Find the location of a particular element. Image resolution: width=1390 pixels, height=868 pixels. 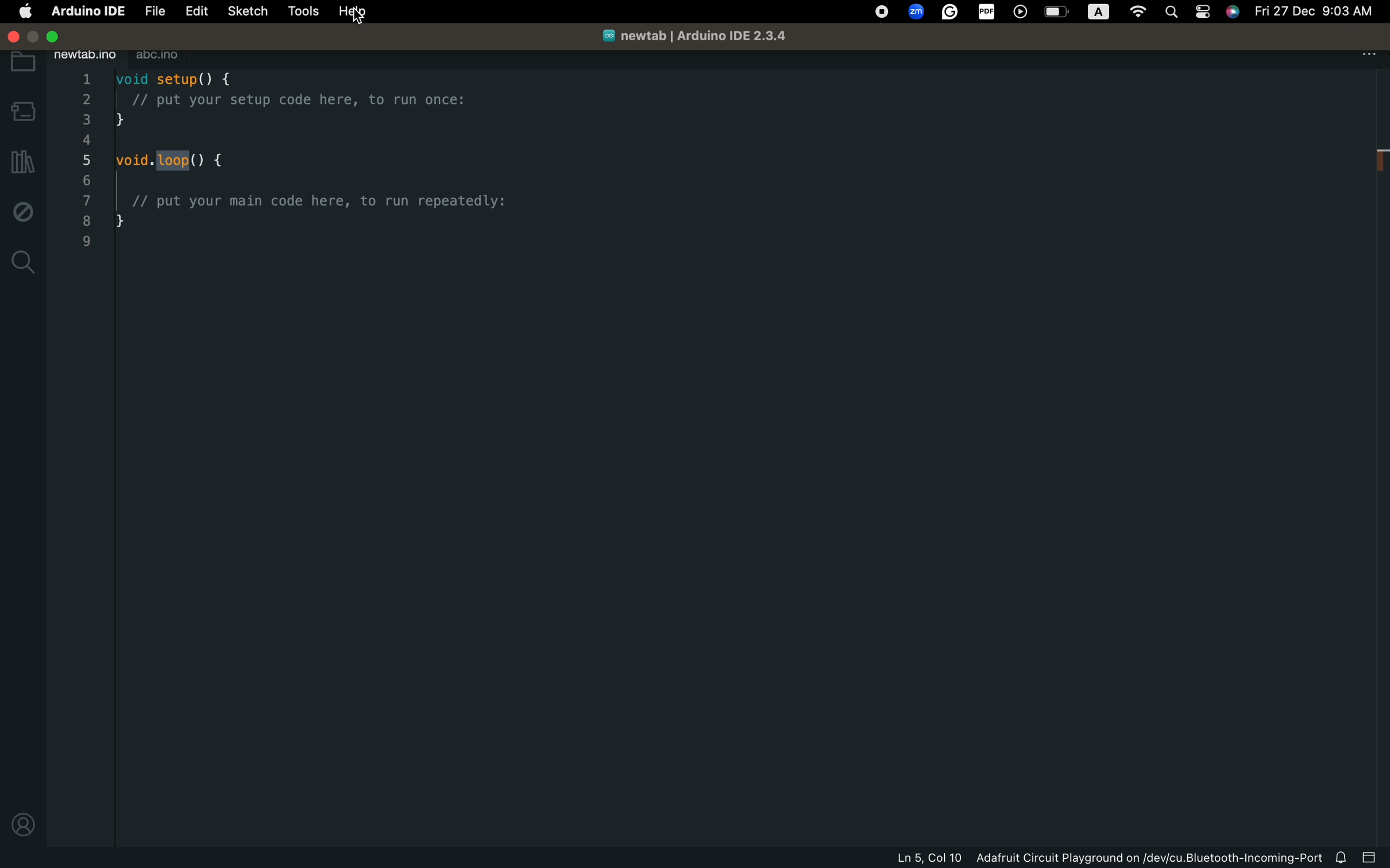

OS Control is located at coordinates (879, 12).